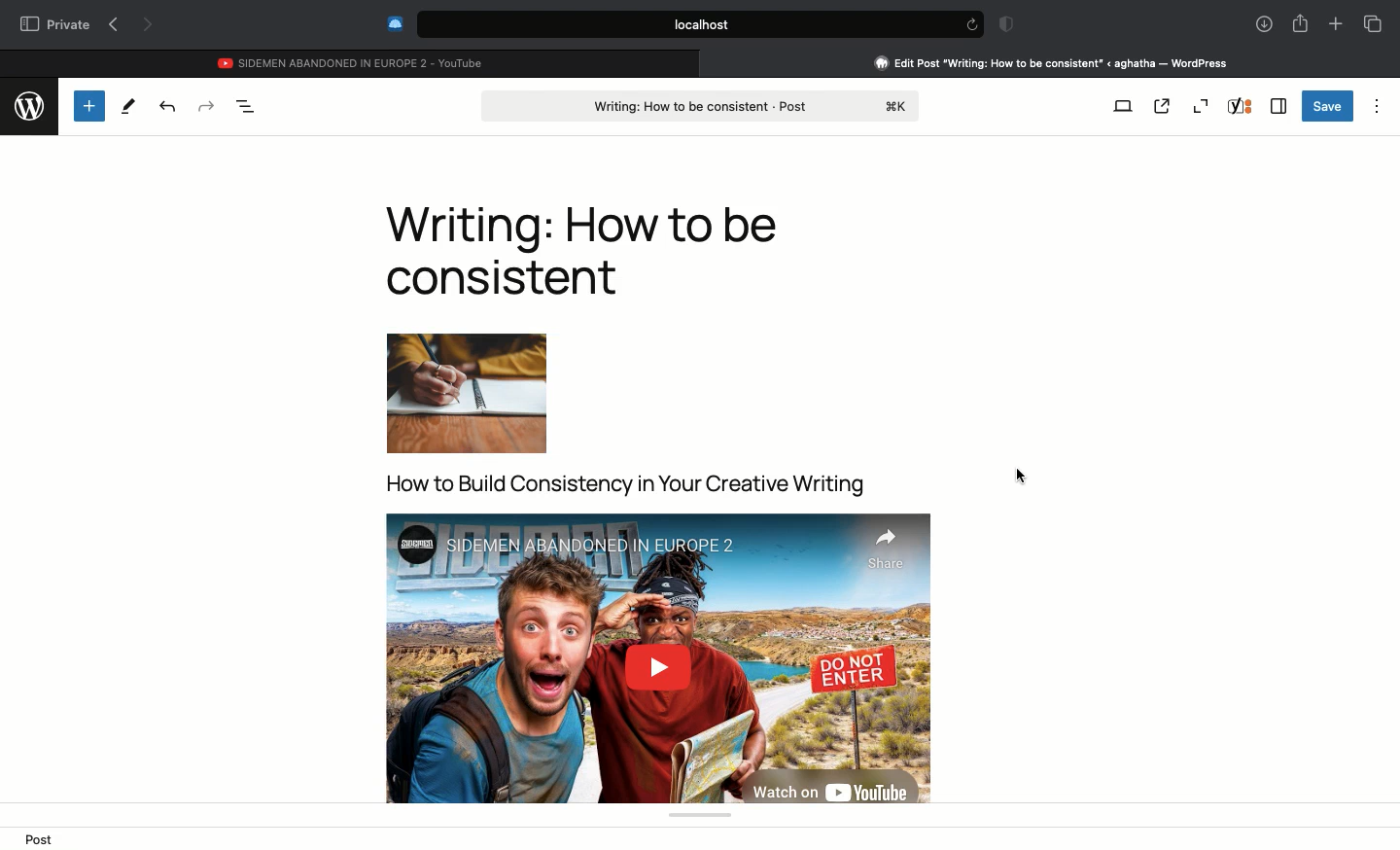  Describe the element at coordinates (709, 62) in the screenshot. I see `close` at that location.